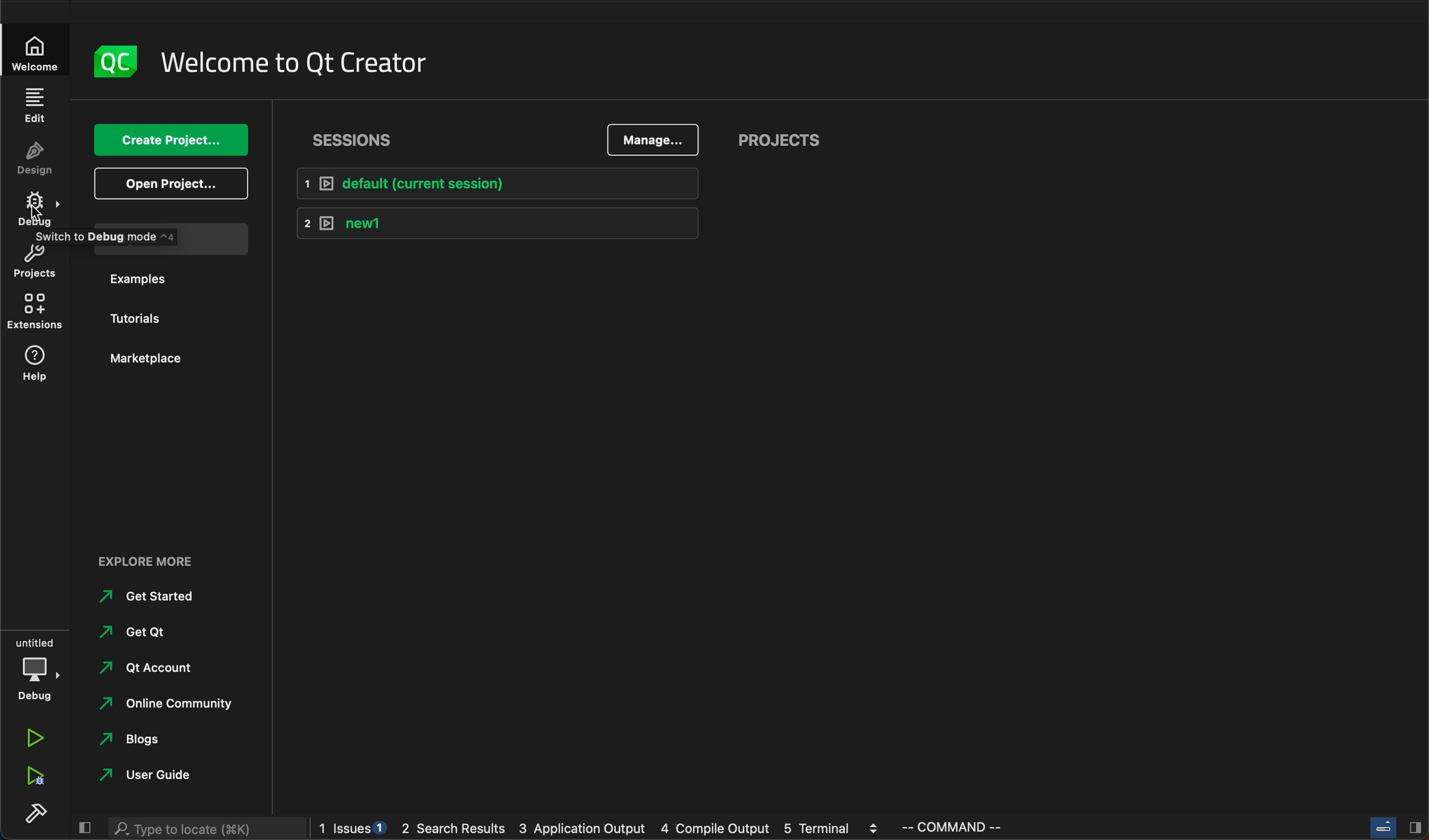 The width and height of the screenshot is (1429, 840). Describe the element at coordinates (39, 313) in the screenshot. I see `extensions` at that location.